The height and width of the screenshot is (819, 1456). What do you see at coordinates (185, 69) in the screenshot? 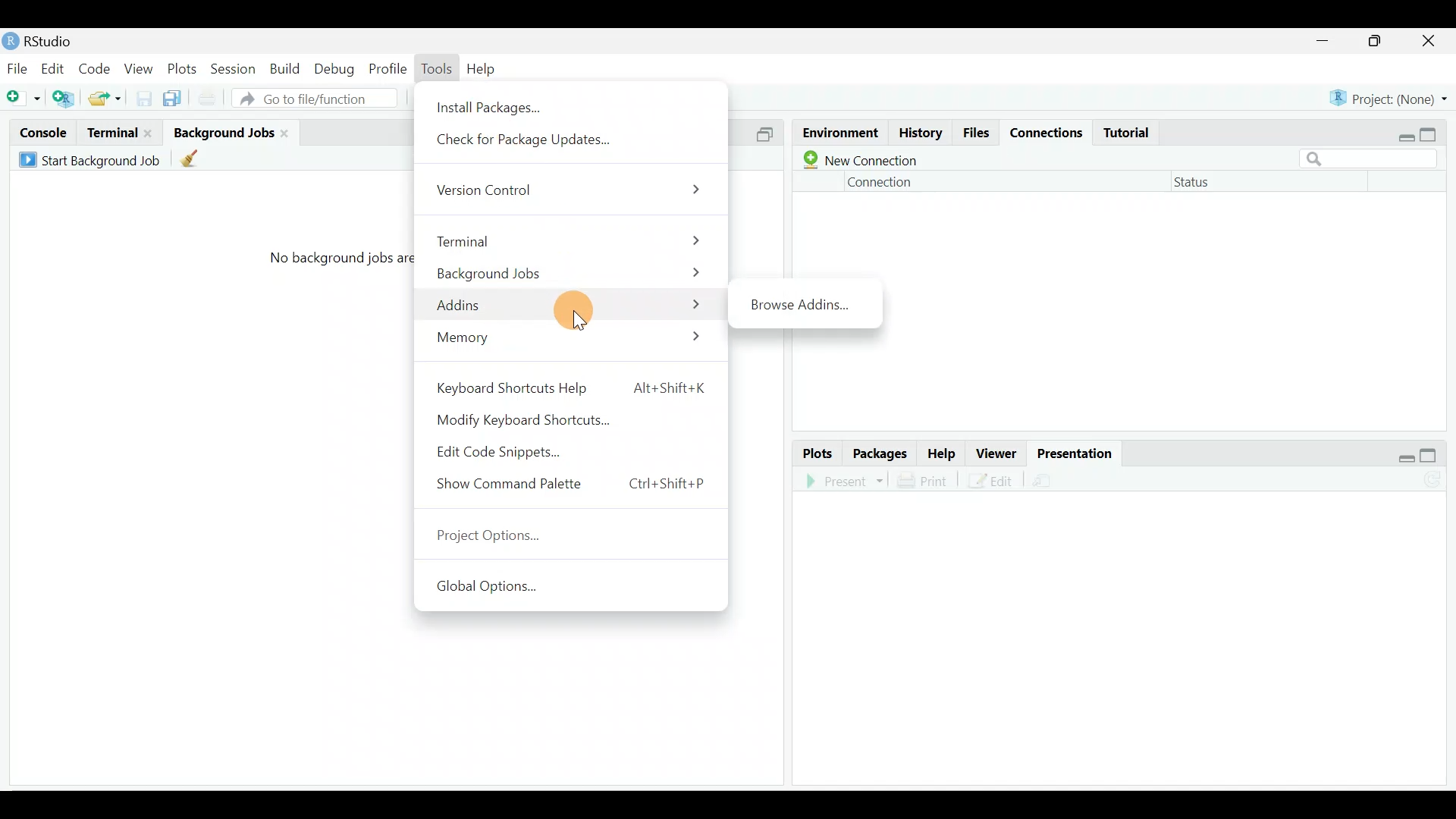
I see `Plots` at bounding box center [185, 69].